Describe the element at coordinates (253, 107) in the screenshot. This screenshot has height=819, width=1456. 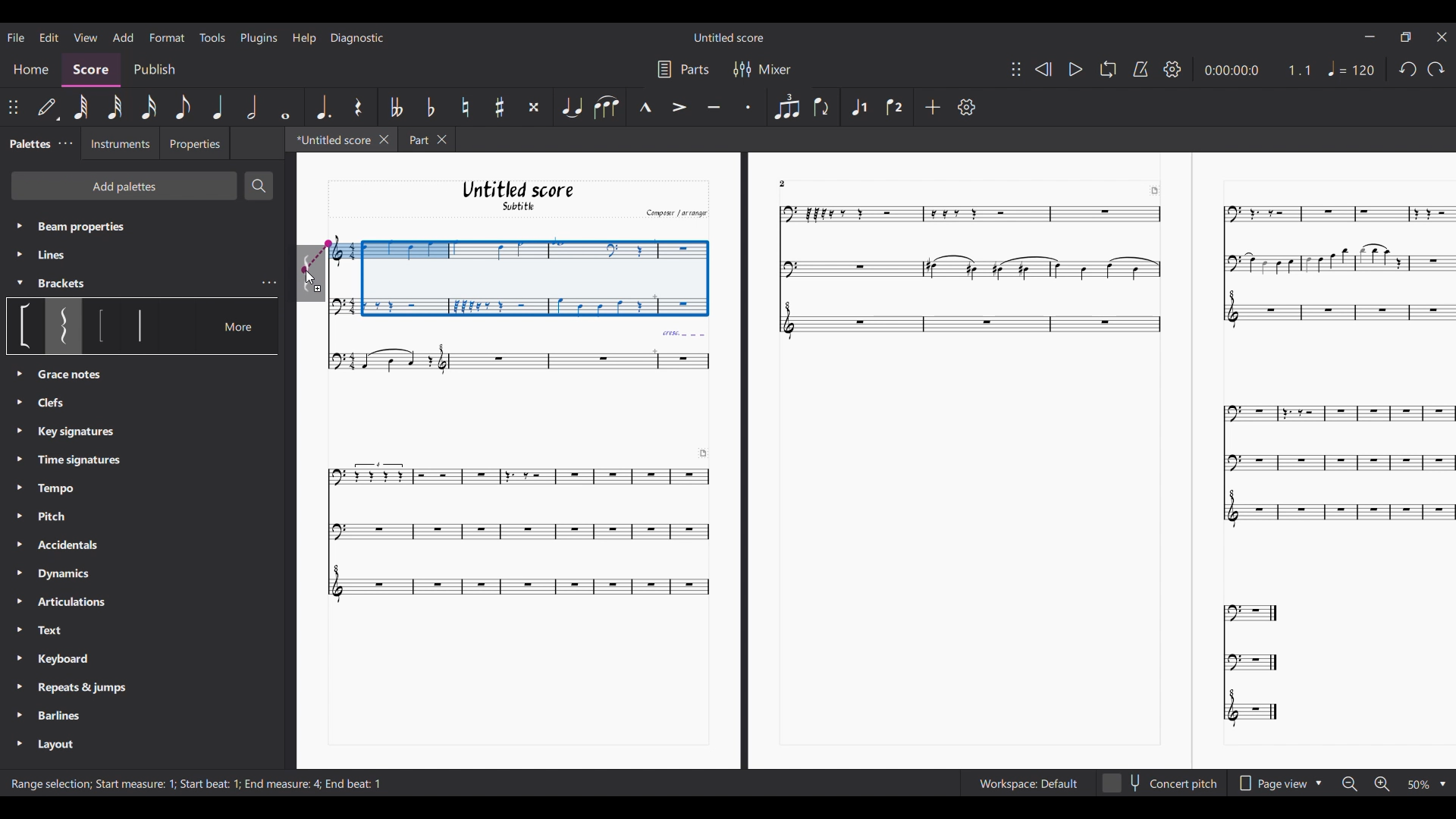
I see `Half note` at that location.